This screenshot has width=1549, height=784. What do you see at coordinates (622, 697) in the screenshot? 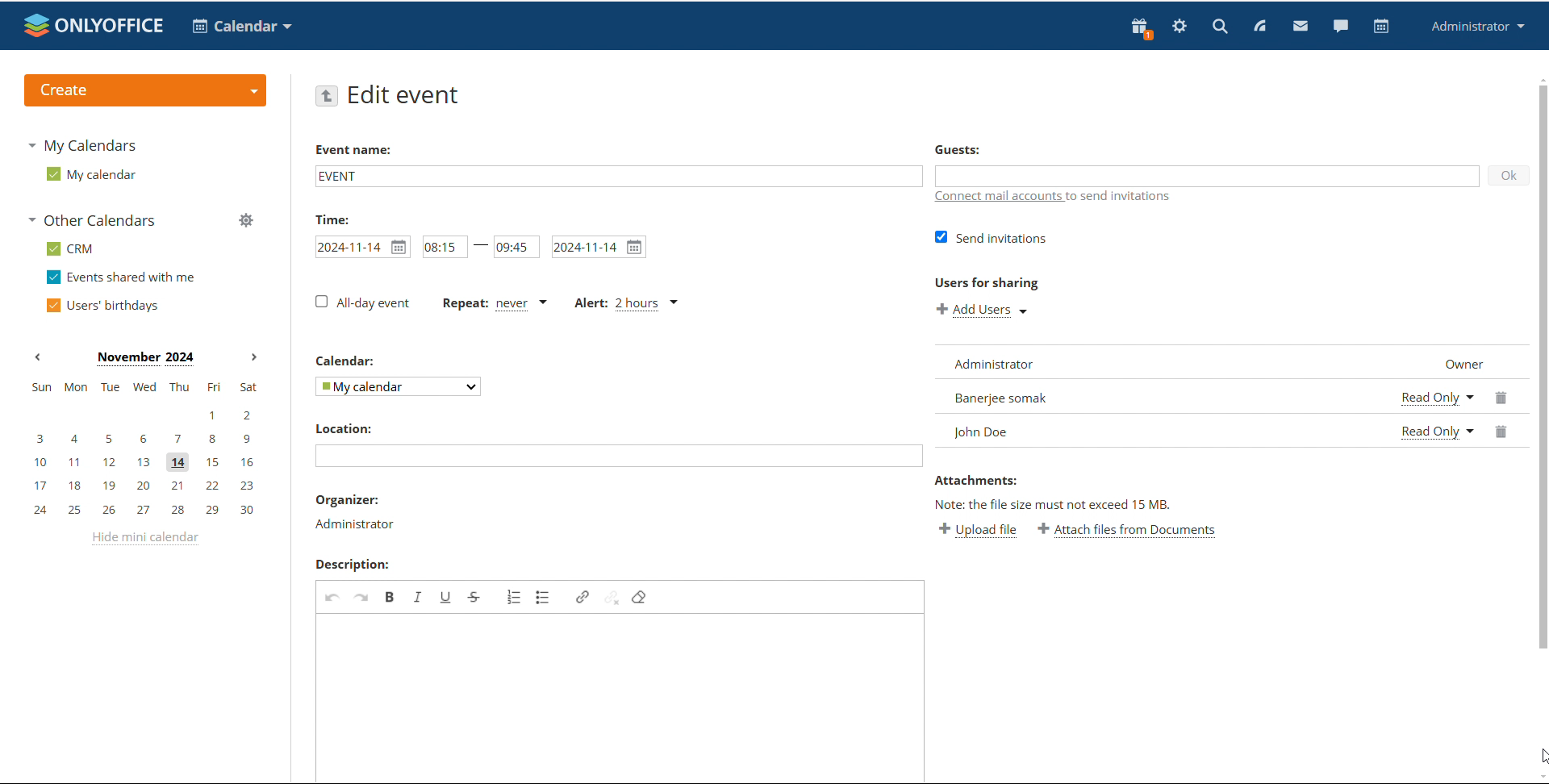
I see `add description` at bounding box center [622, 697].